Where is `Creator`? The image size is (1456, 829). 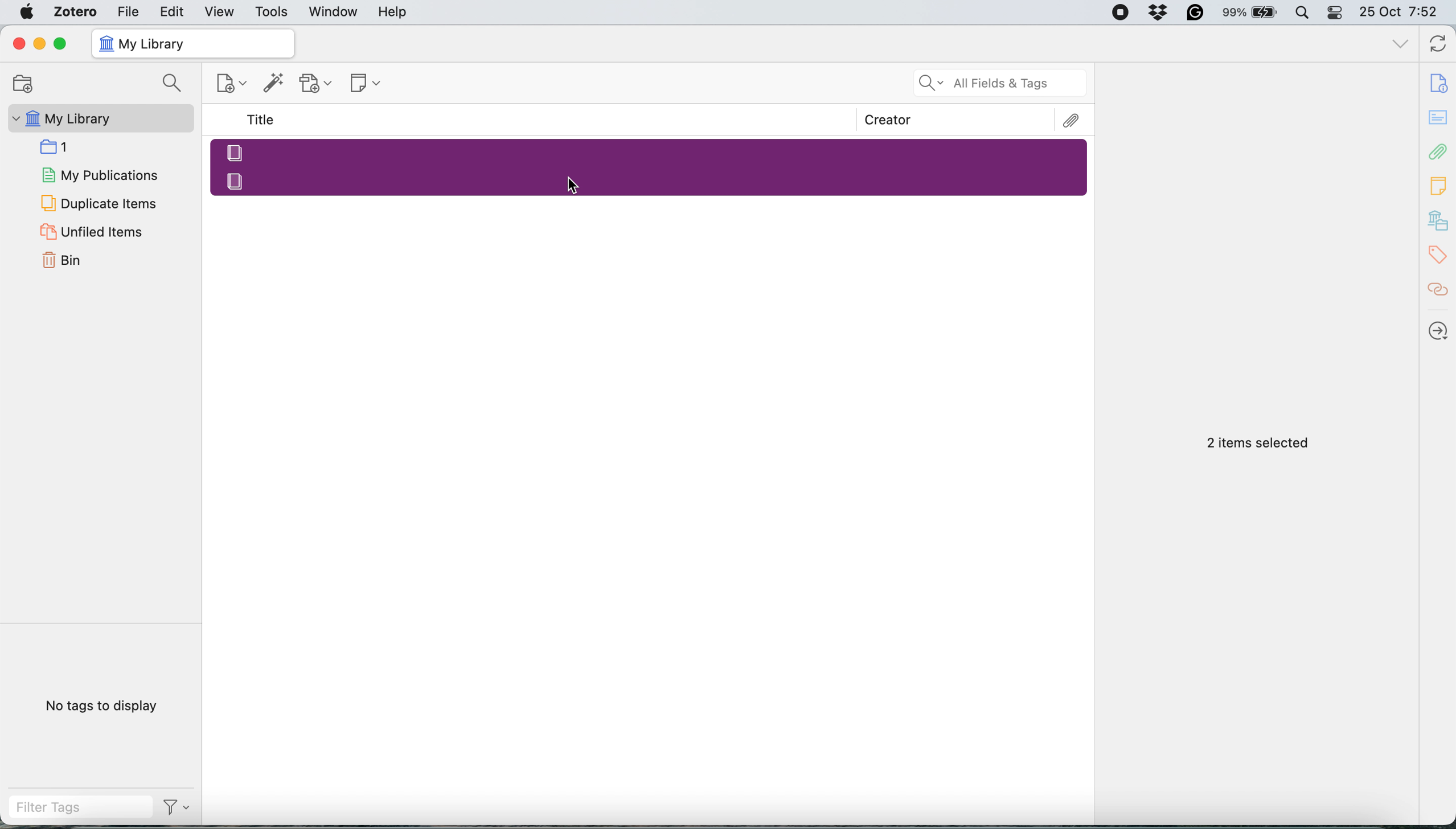
Creator is located at coordinates (888, 120).